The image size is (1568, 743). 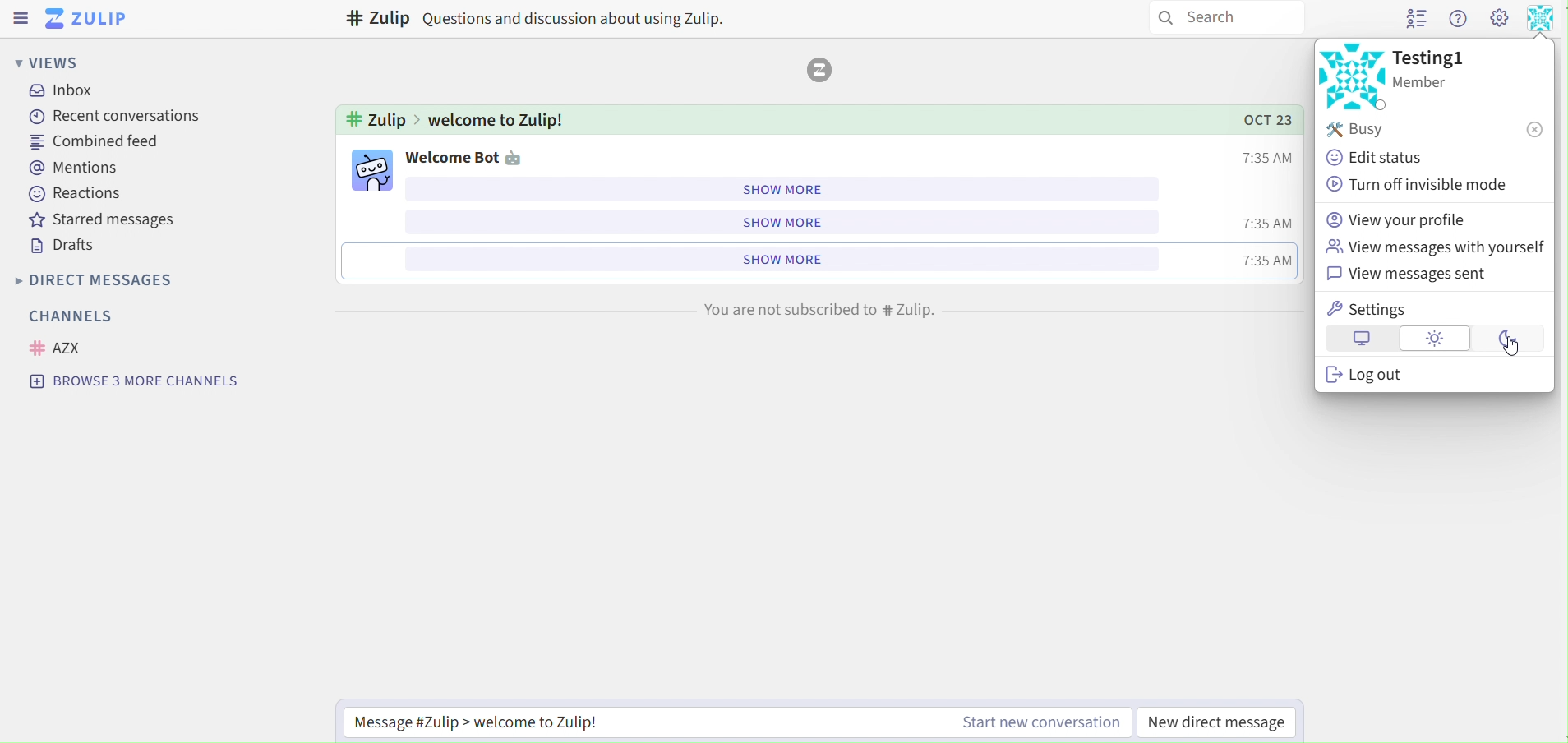 I want to click on welcome bot, so click(x=476, y=157).